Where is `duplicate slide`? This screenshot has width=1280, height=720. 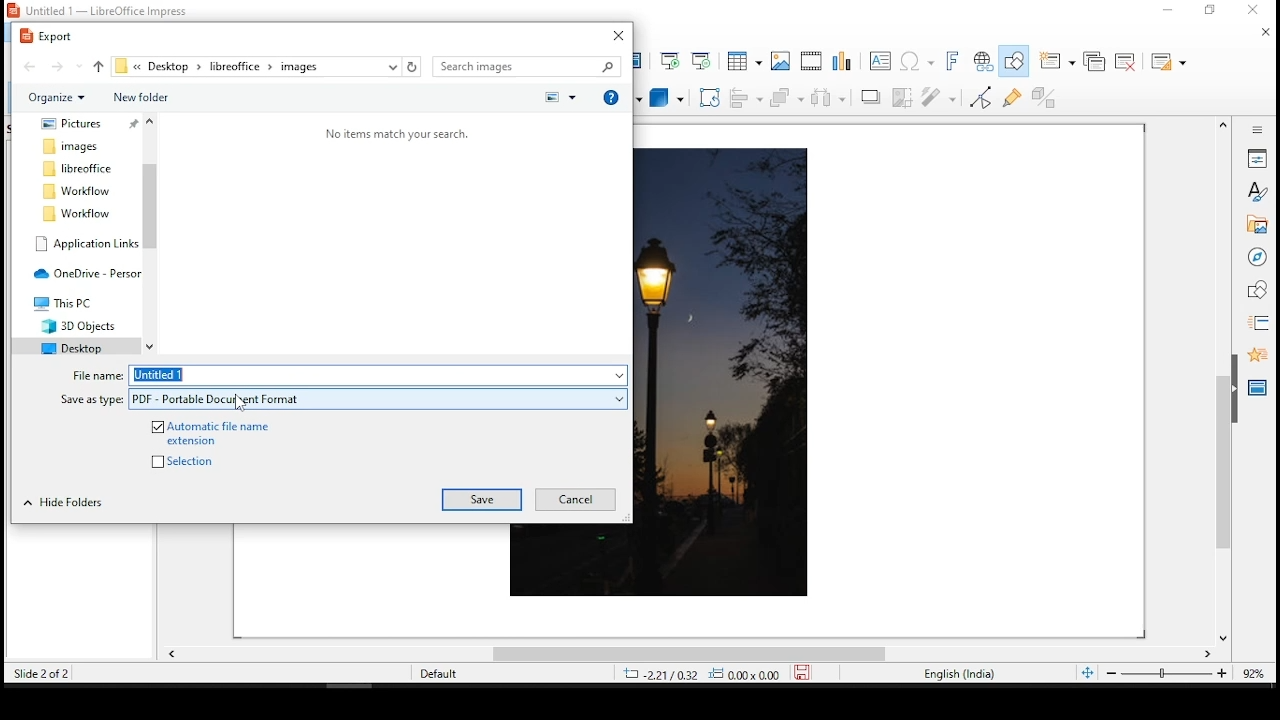
duplicate slide is located at coordinates (1096, 63).